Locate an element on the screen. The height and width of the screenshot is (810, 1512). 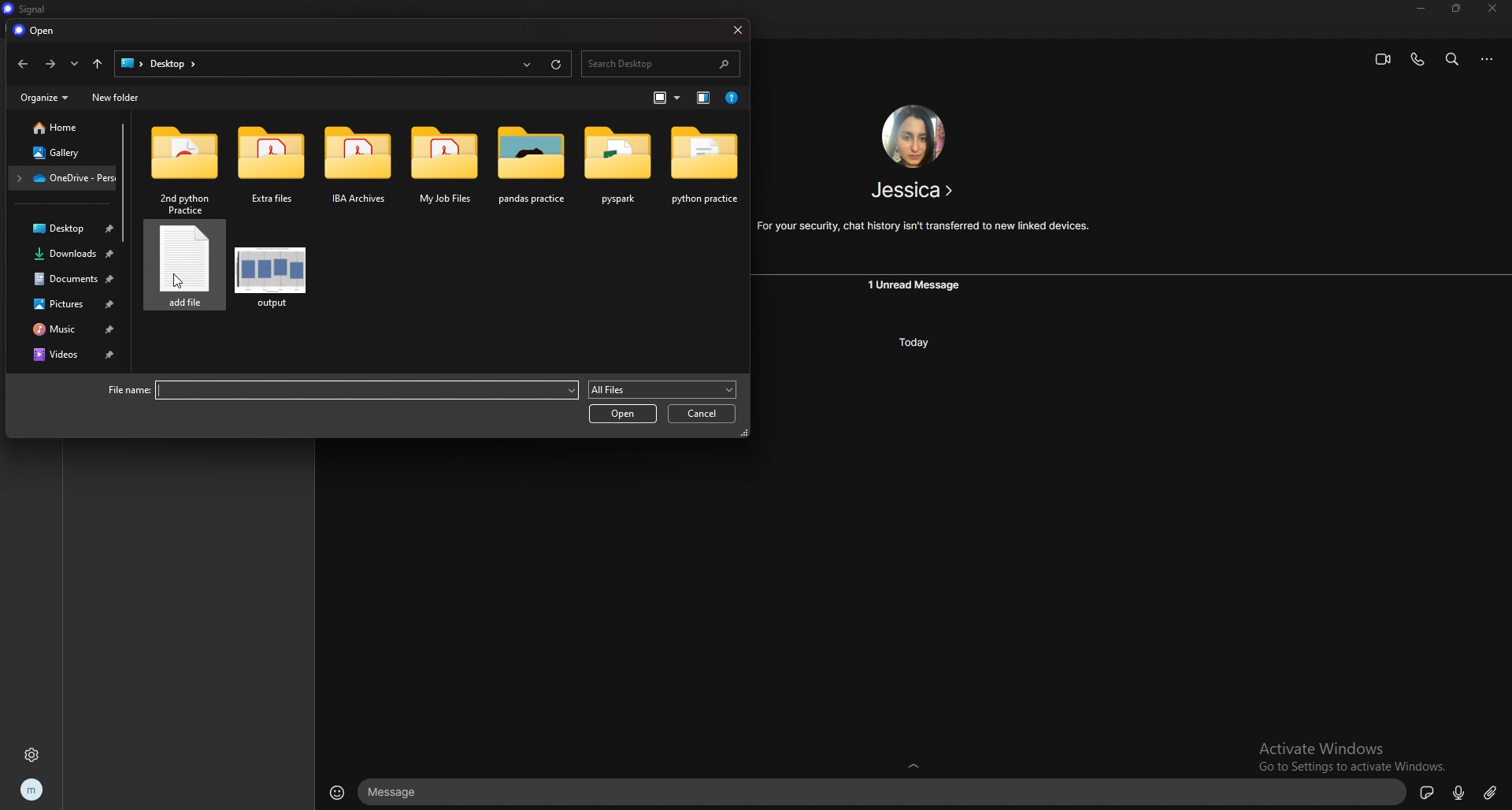
documents is located at coordinates (66, 281).